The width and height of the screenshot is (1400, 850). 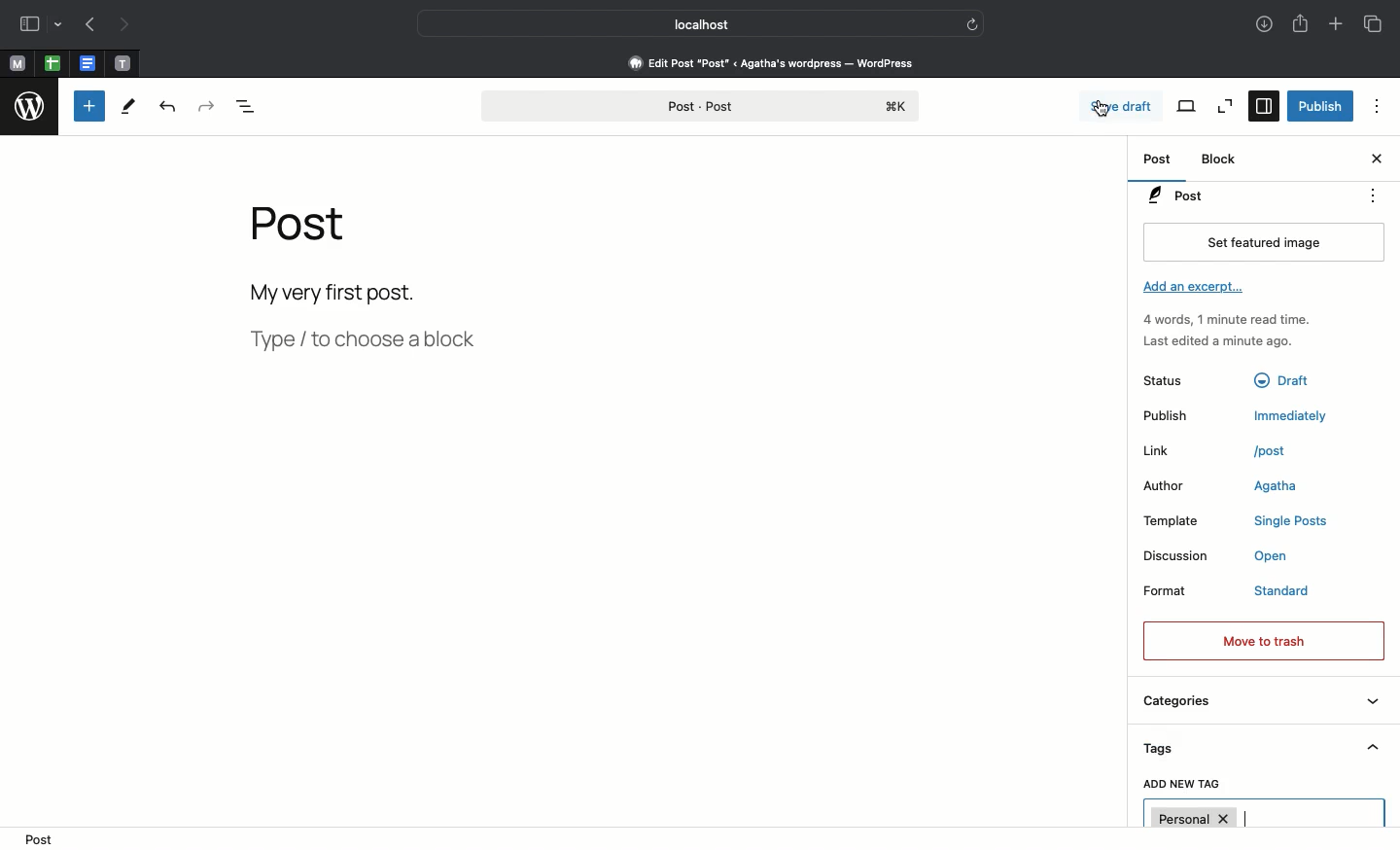 What do you see at coordinates (1171, 589) in the screenshot?
I see `Format` at bounding box center [1171, 589].